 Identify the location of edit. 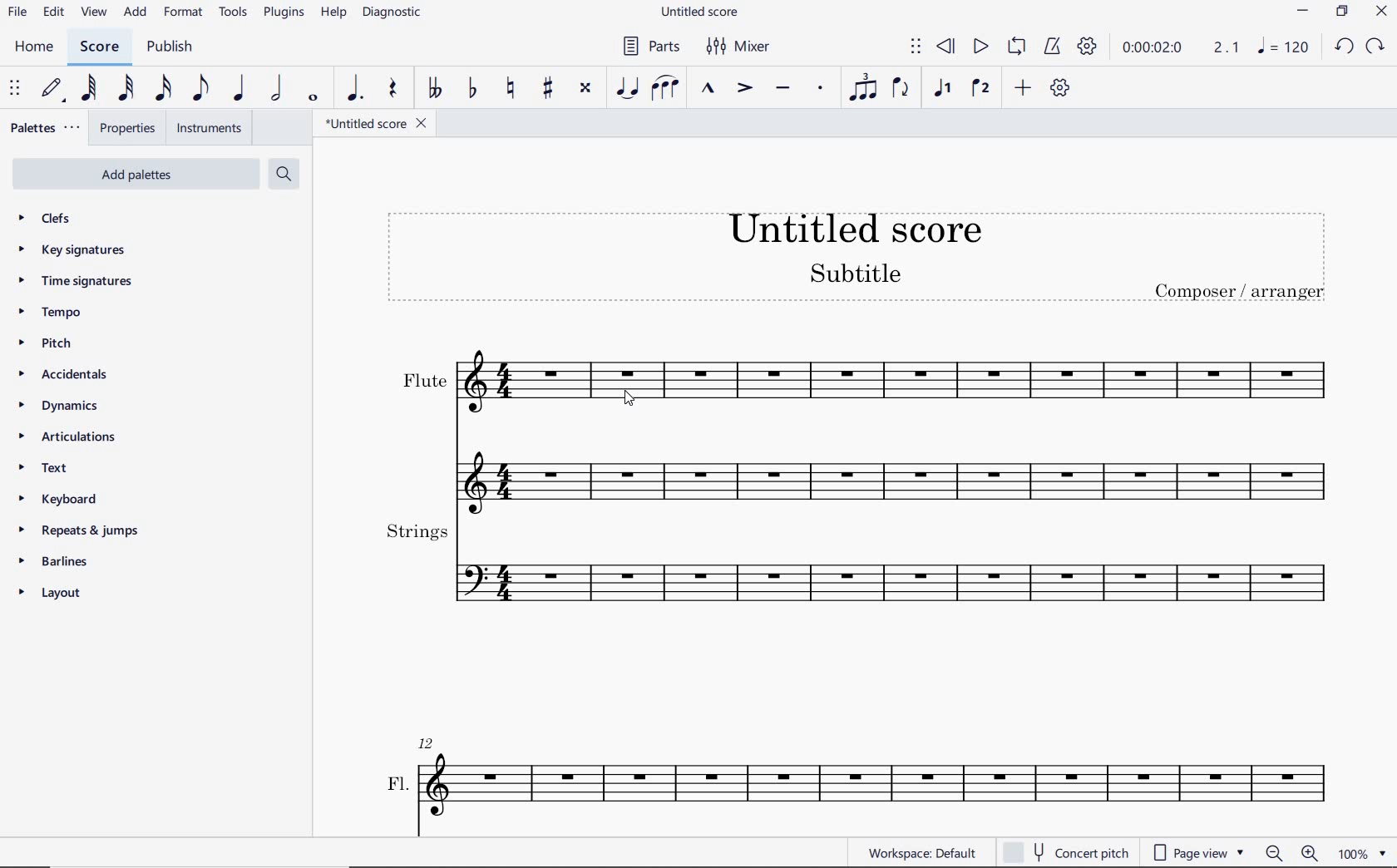
(52, 12).